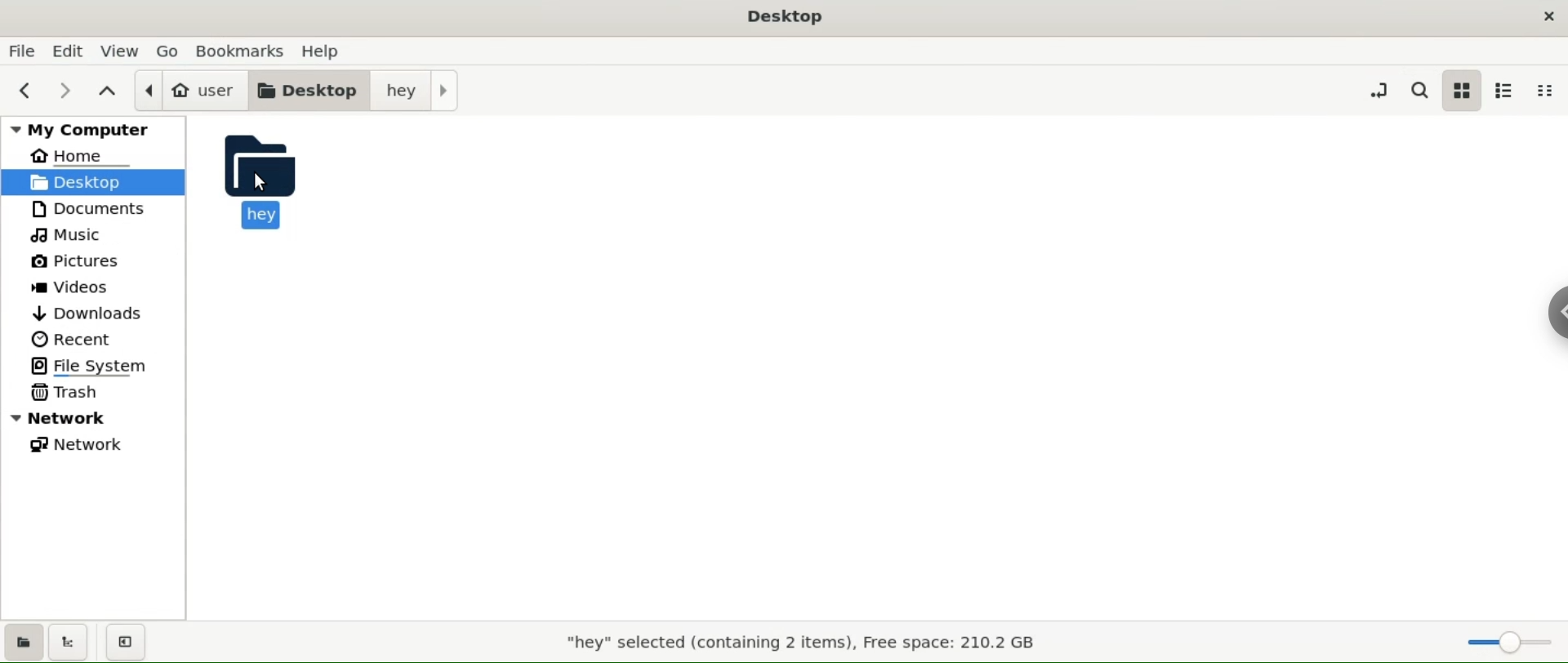  Describe the element at coordinates (121, 51) in the screenshot. I see `view` at that location.